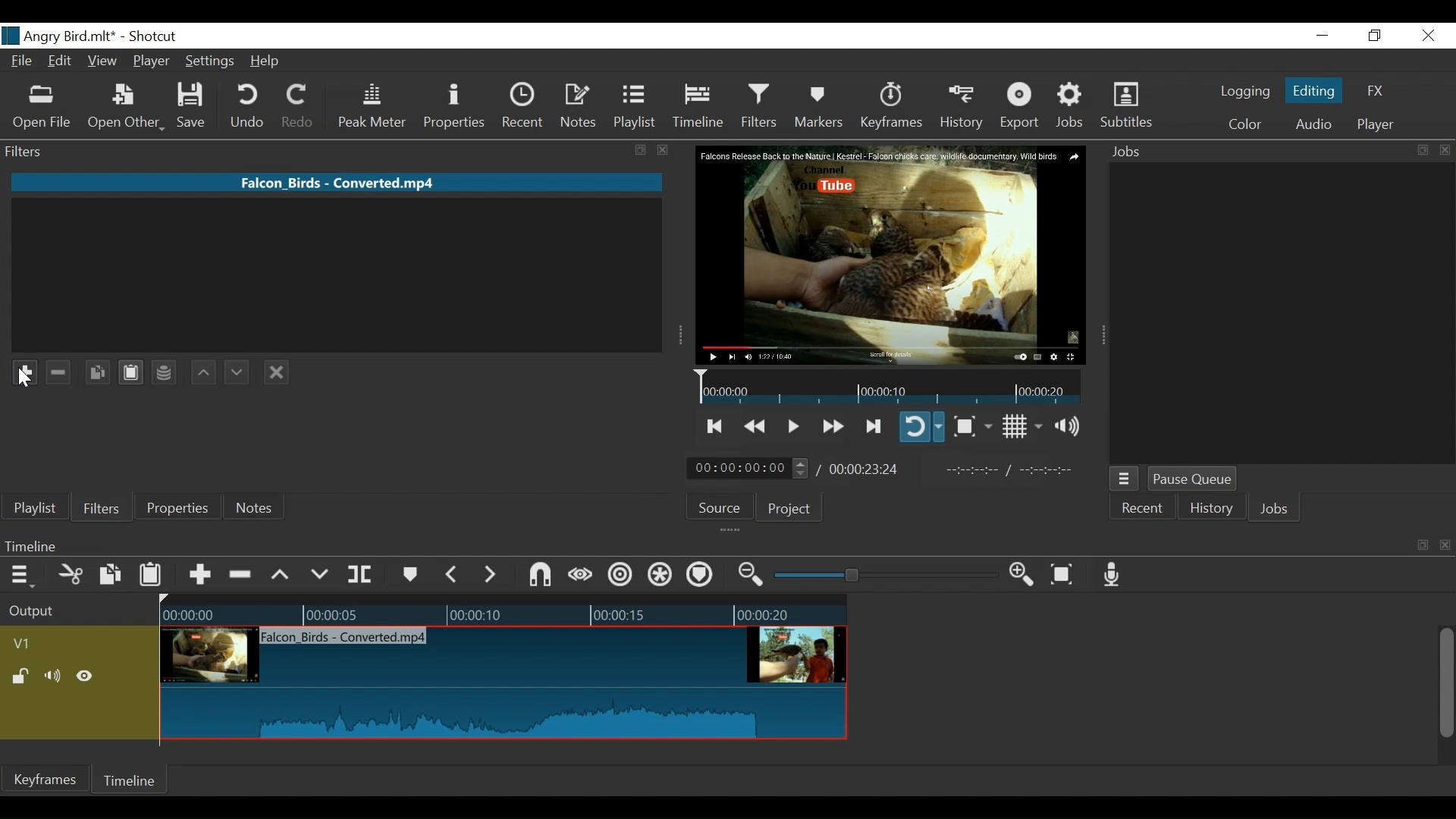 The width and height of the screenshot is (1456, 819). Describe the element at coordinates (102, 62) in the screenshot. I see `View` at that location.